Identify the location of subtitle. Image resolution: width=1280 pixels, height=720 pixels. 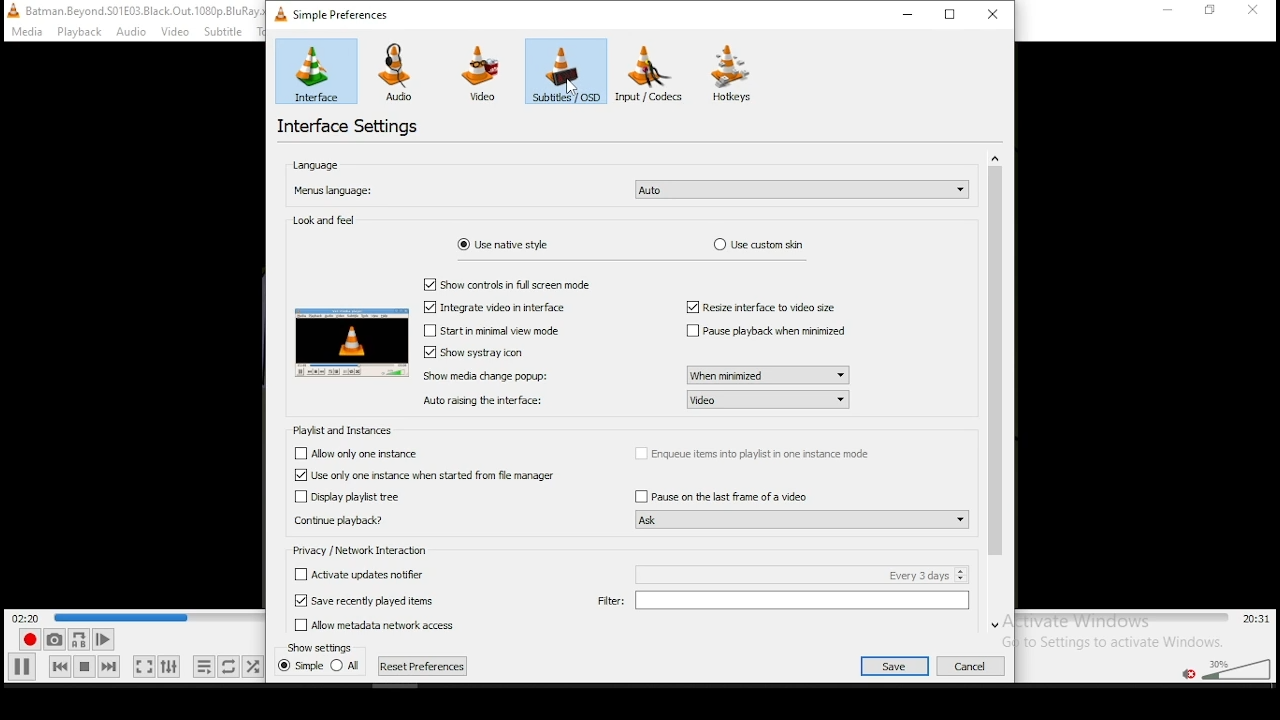
(221, 32).